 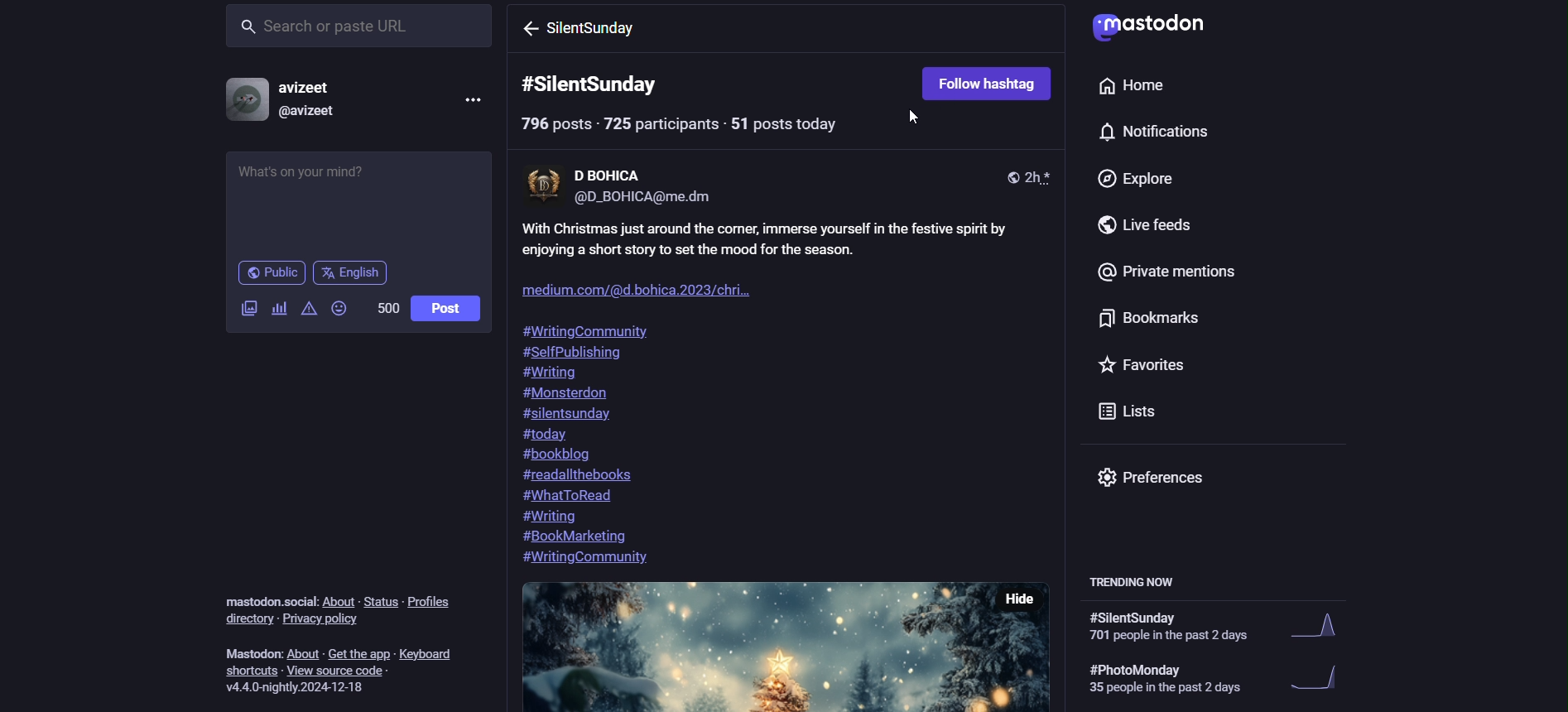 What do you see at coordinates (1145, 579) in the screenshot?
I see `Trending now` at bounding box center [1145, 579].